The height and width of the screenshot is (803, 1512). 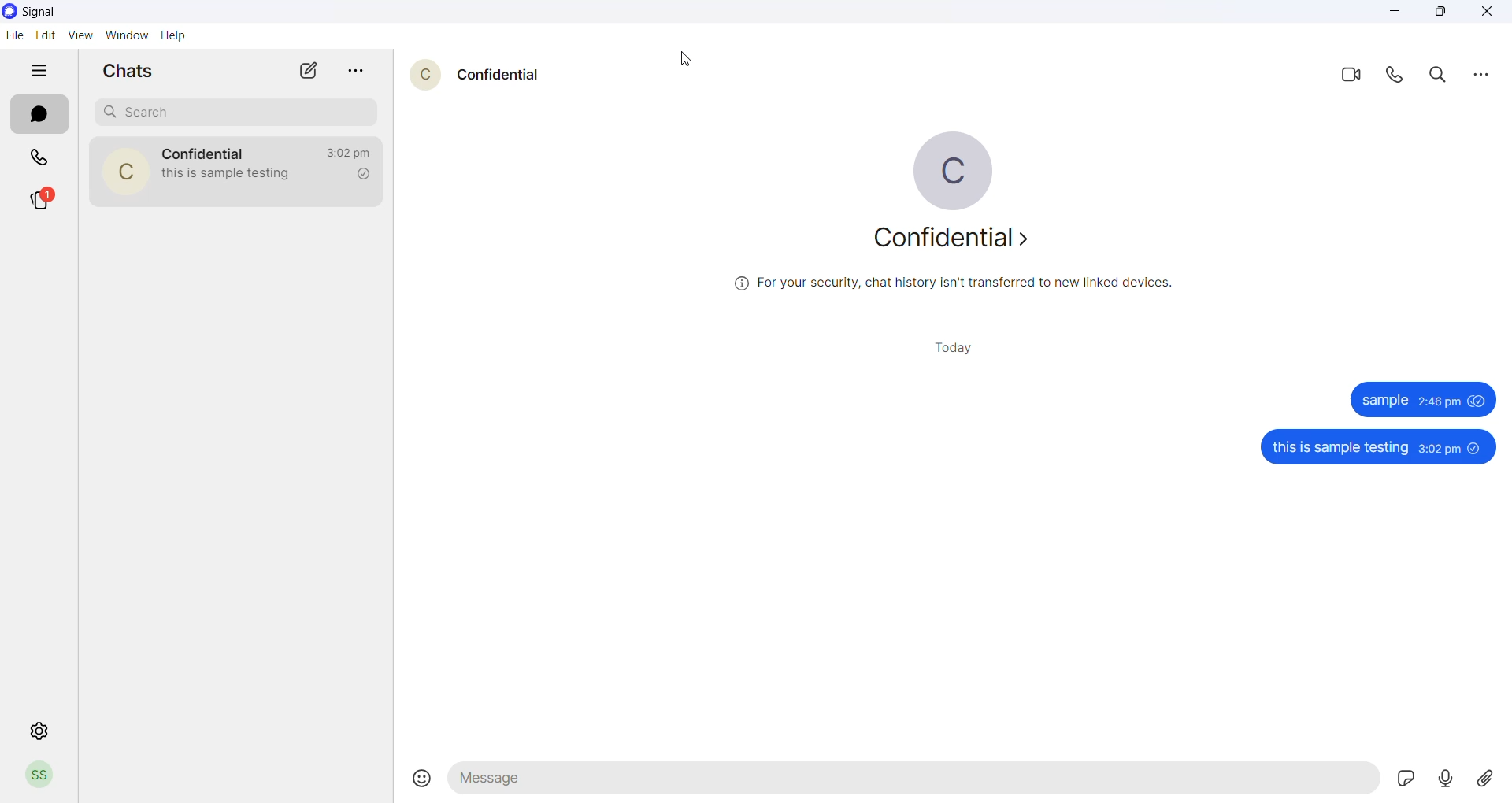 What do you see at coordinates (124, 170) in the screenshot?
I see `profile picture` at bounding box center [124, 170].